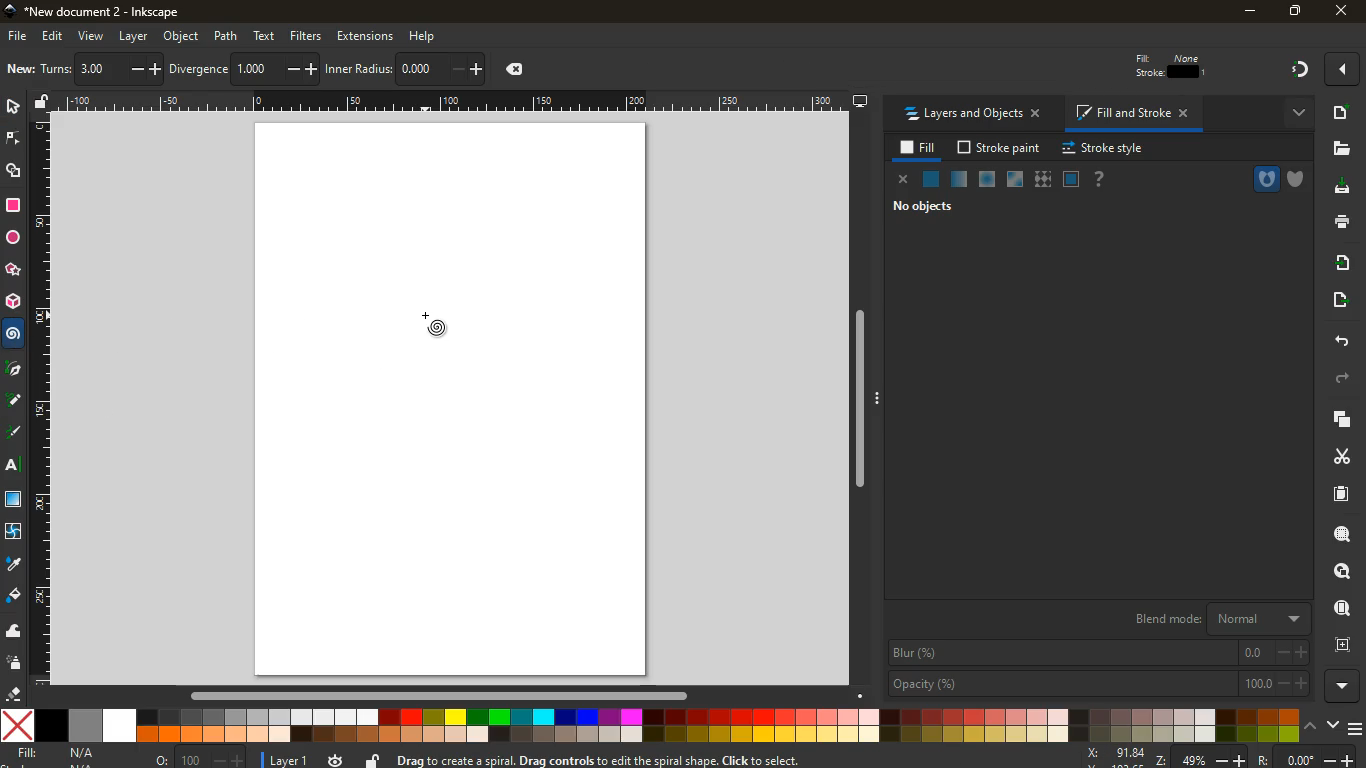 This screenshot has height=768, width=1366. Describe the element at coordinates (431, 35) in the screenshot. I see `help` at that location.